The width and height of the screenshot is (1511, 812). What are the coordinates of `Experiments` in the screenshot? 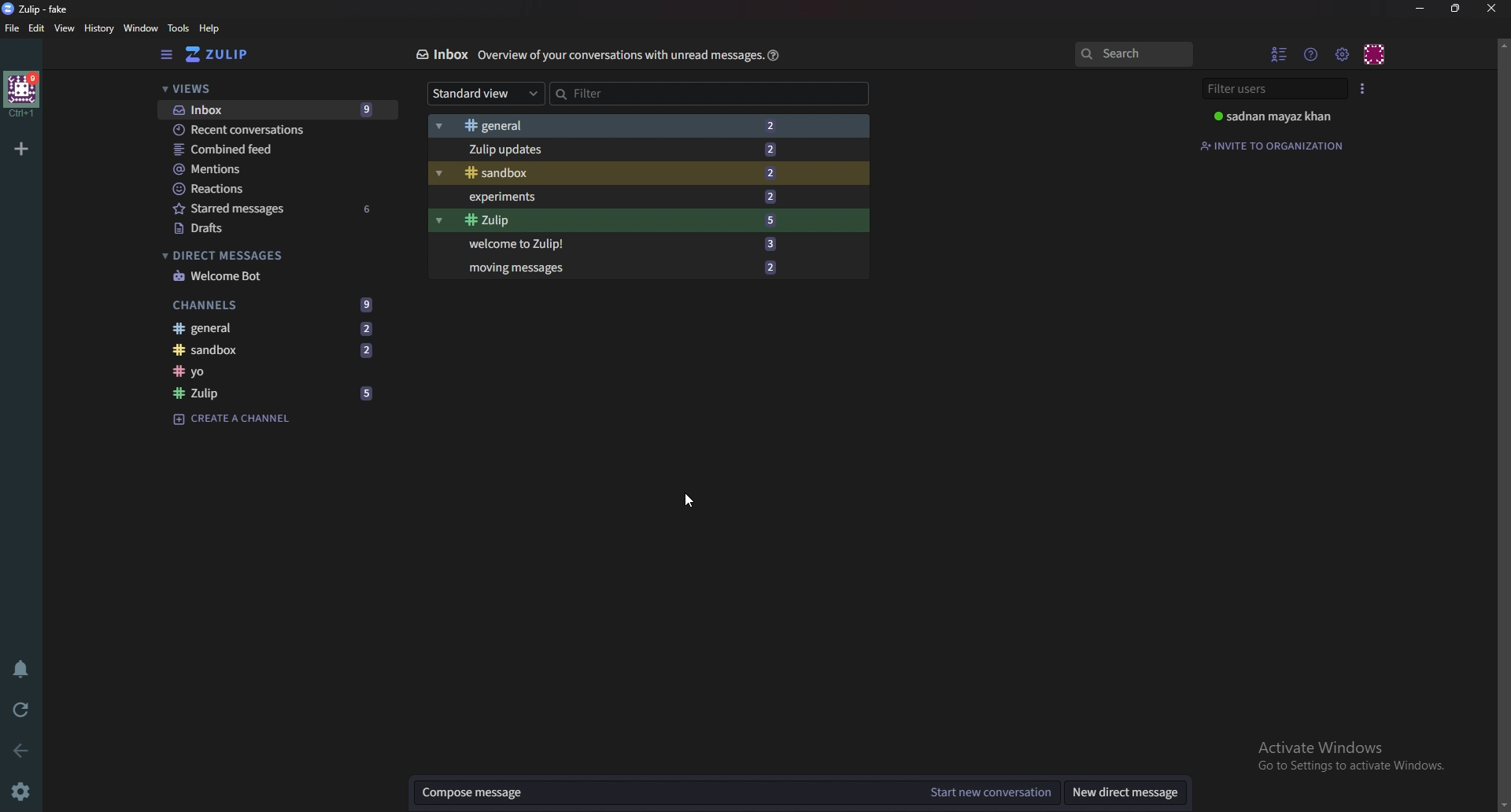 It's located at (627, 197).